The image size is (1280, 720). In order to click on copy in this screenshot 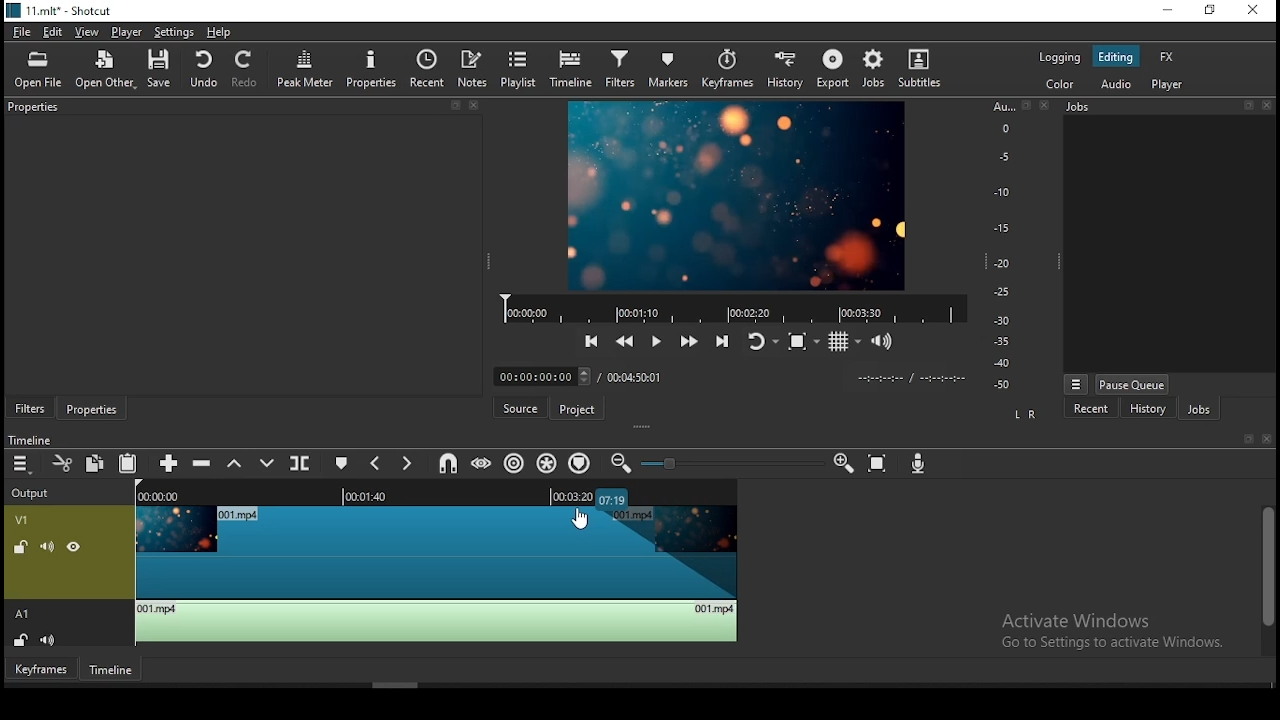, I will do `click(96, 465)`.